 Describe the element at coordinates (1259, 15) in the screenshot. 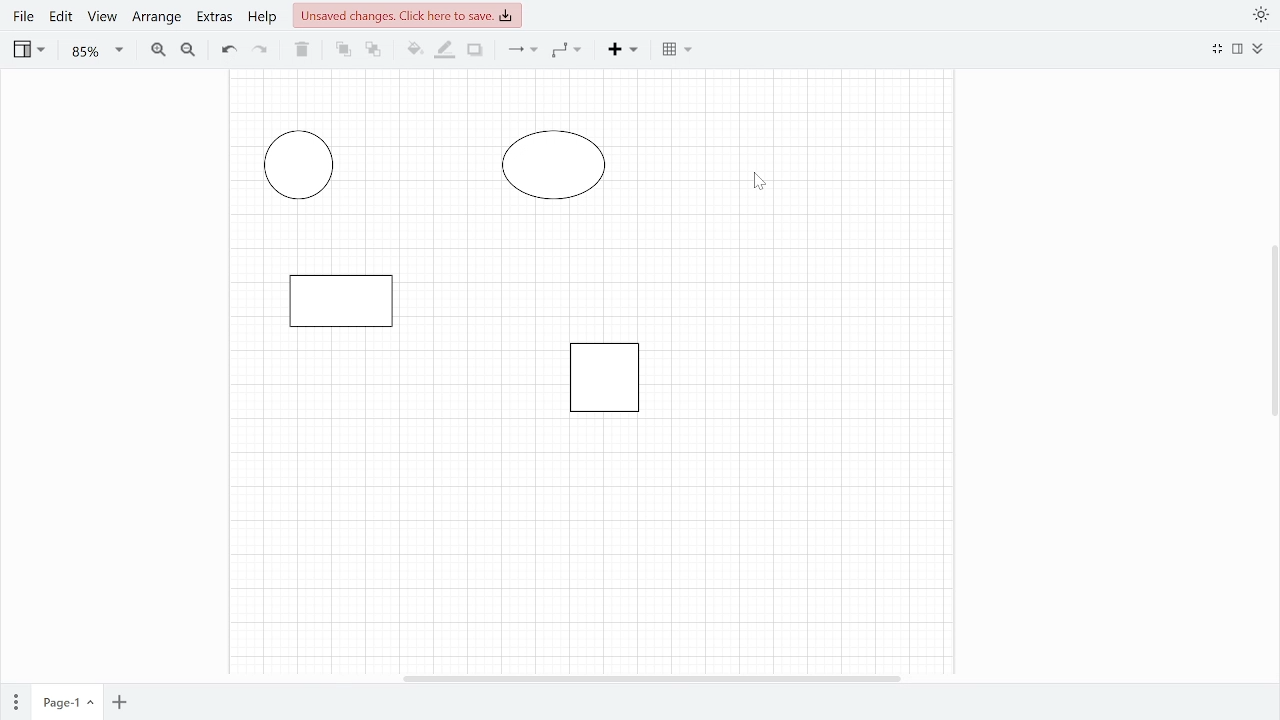

I see `Appearance` at that location.